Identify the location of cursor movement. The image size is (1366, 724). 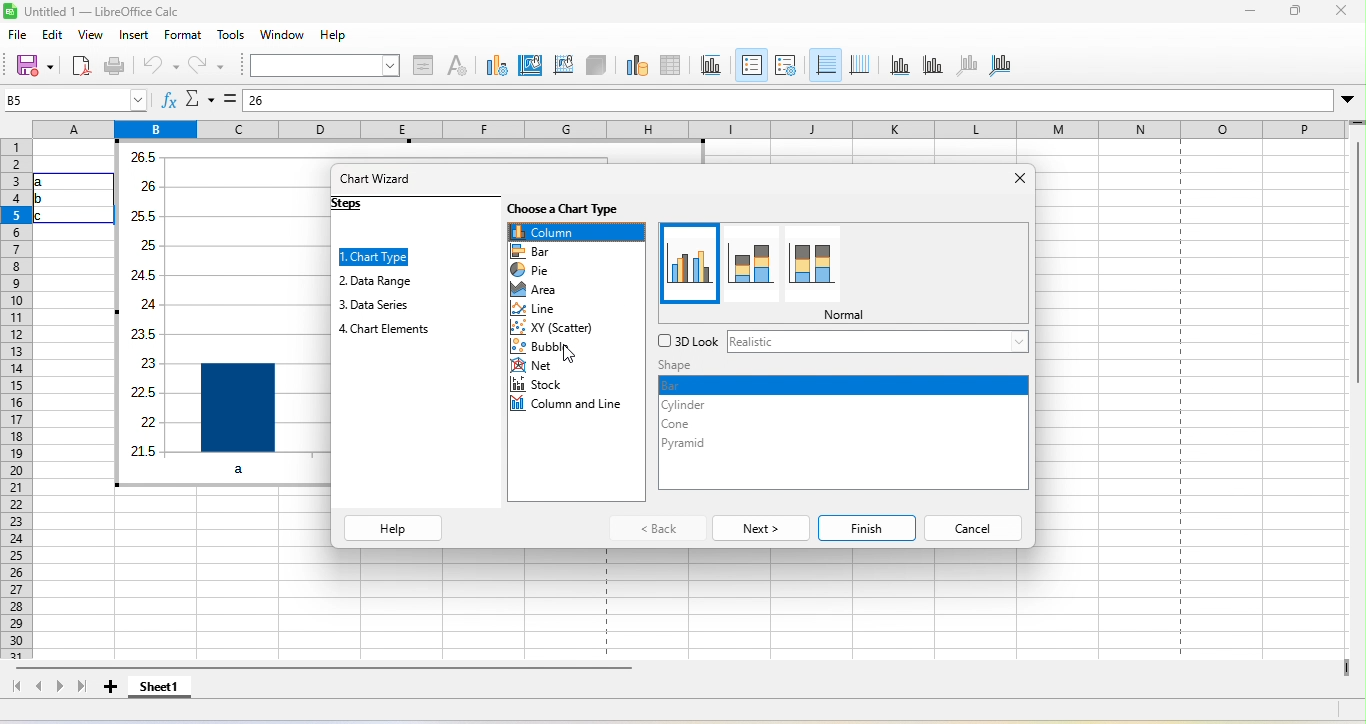
(569, 356).